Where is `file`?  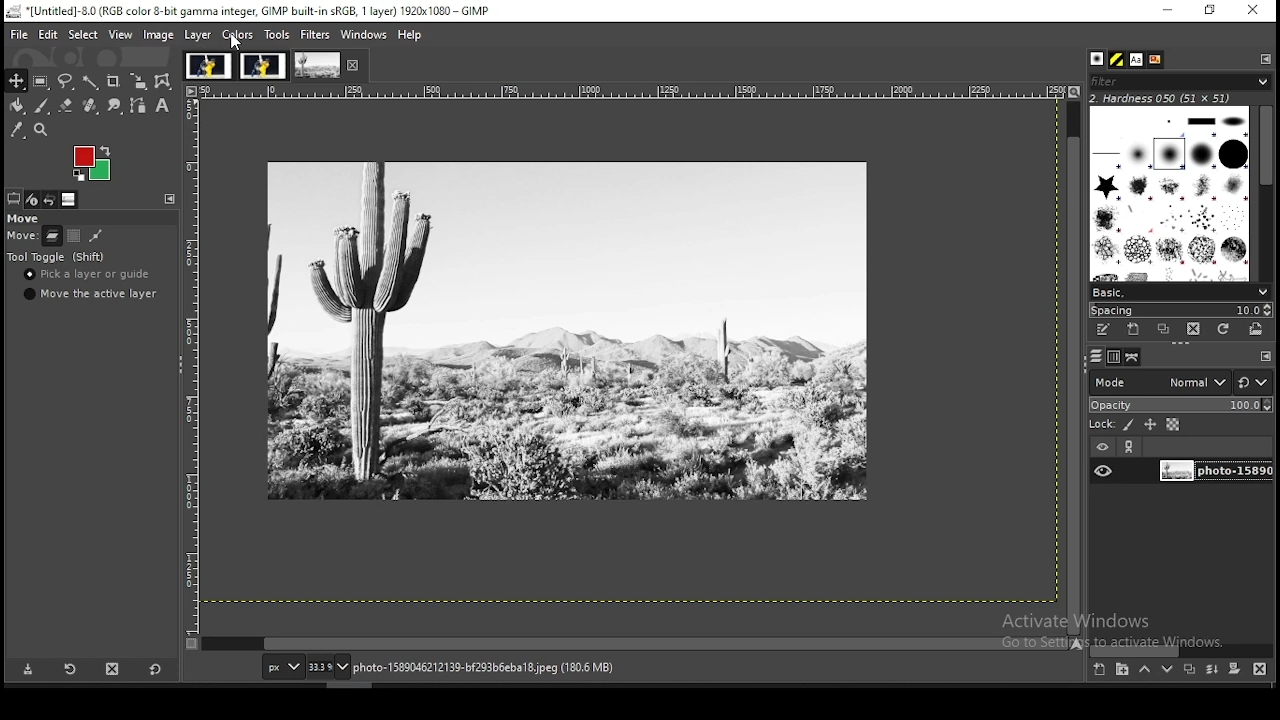 file is located at coordinates (17, 33).